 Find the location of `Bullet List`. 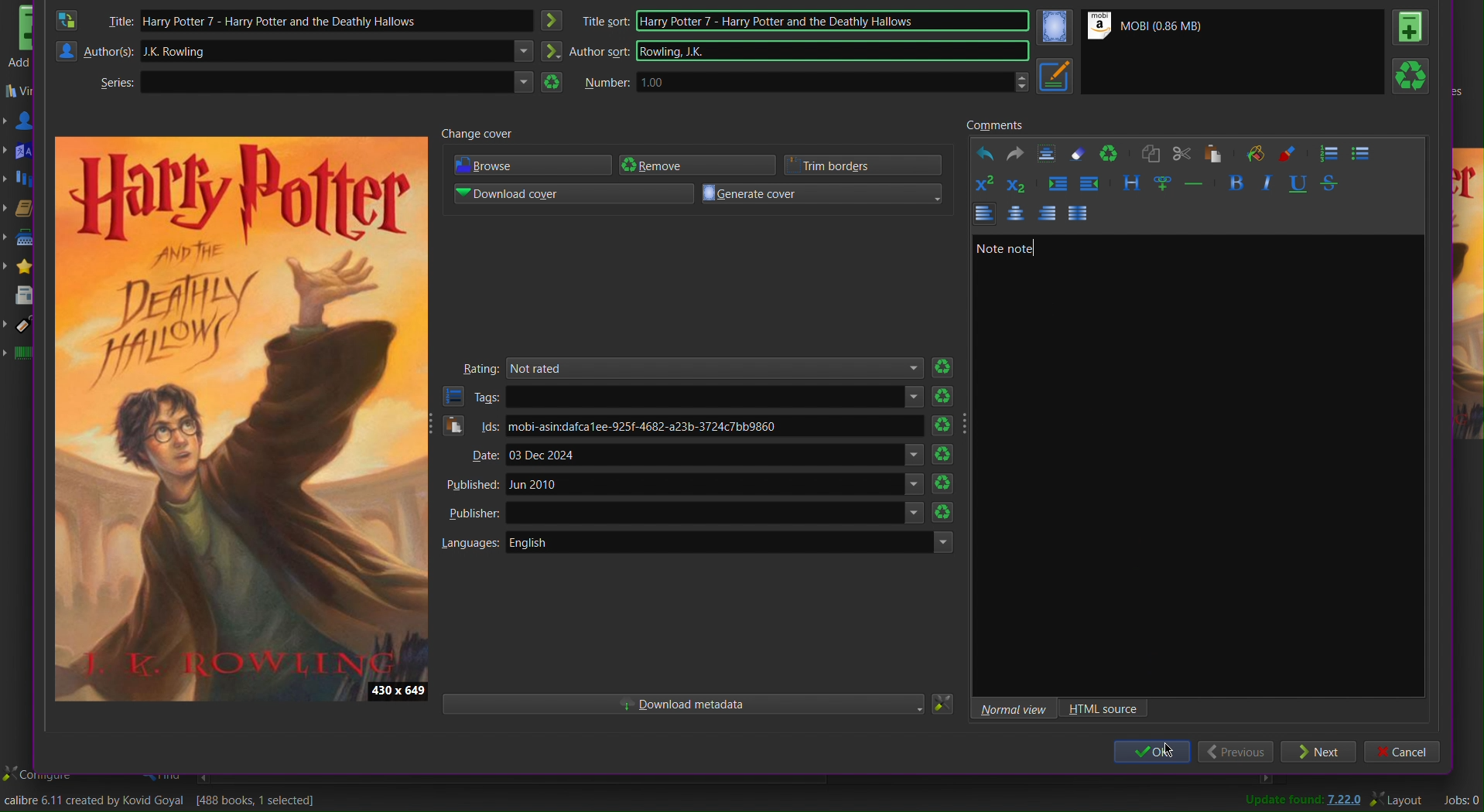

Bullet List is located at coordinates (1363, 152).